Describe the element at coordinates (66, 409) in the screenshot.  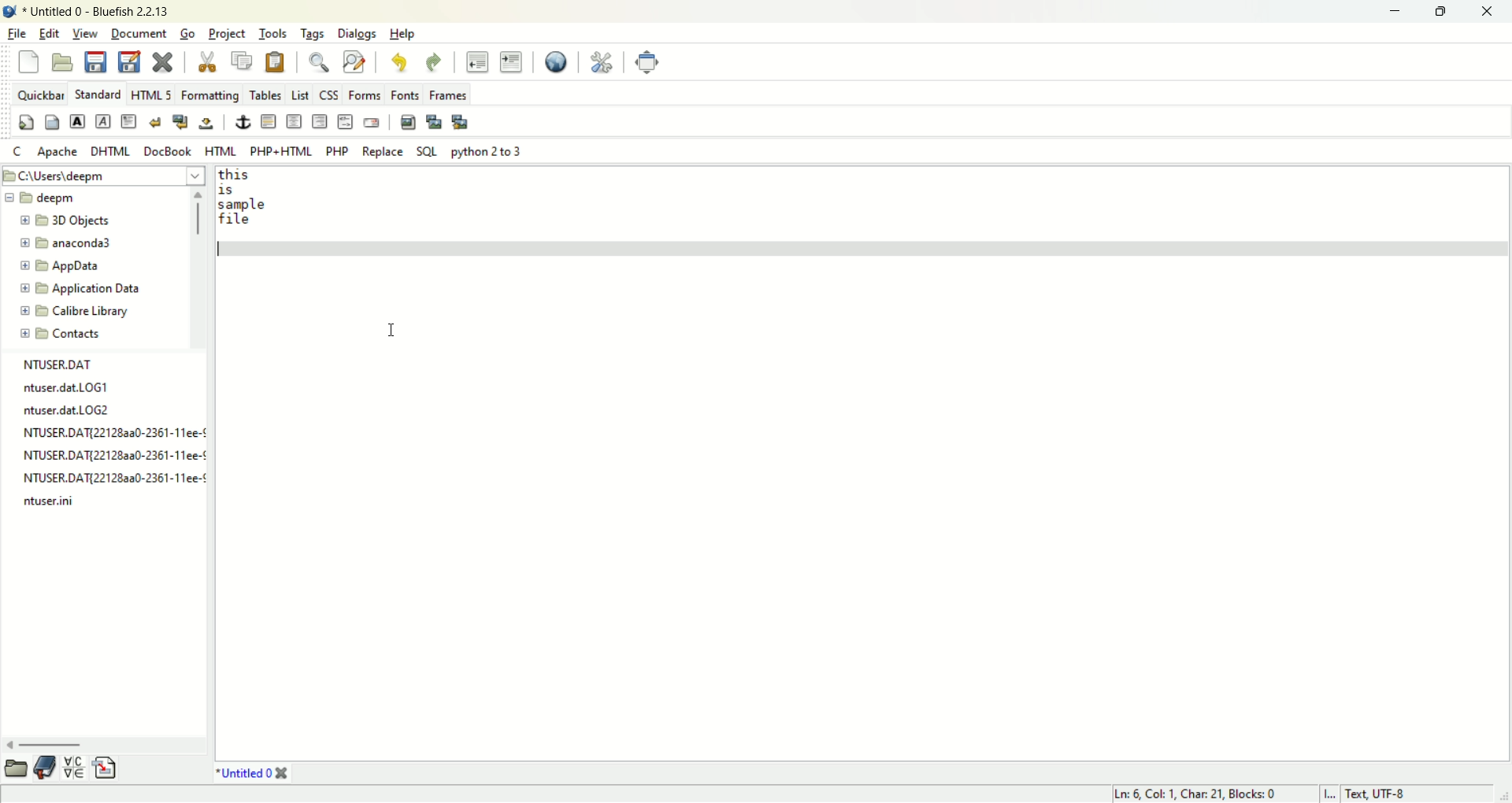
I see `ntuser.dat.LOG2` at that location.